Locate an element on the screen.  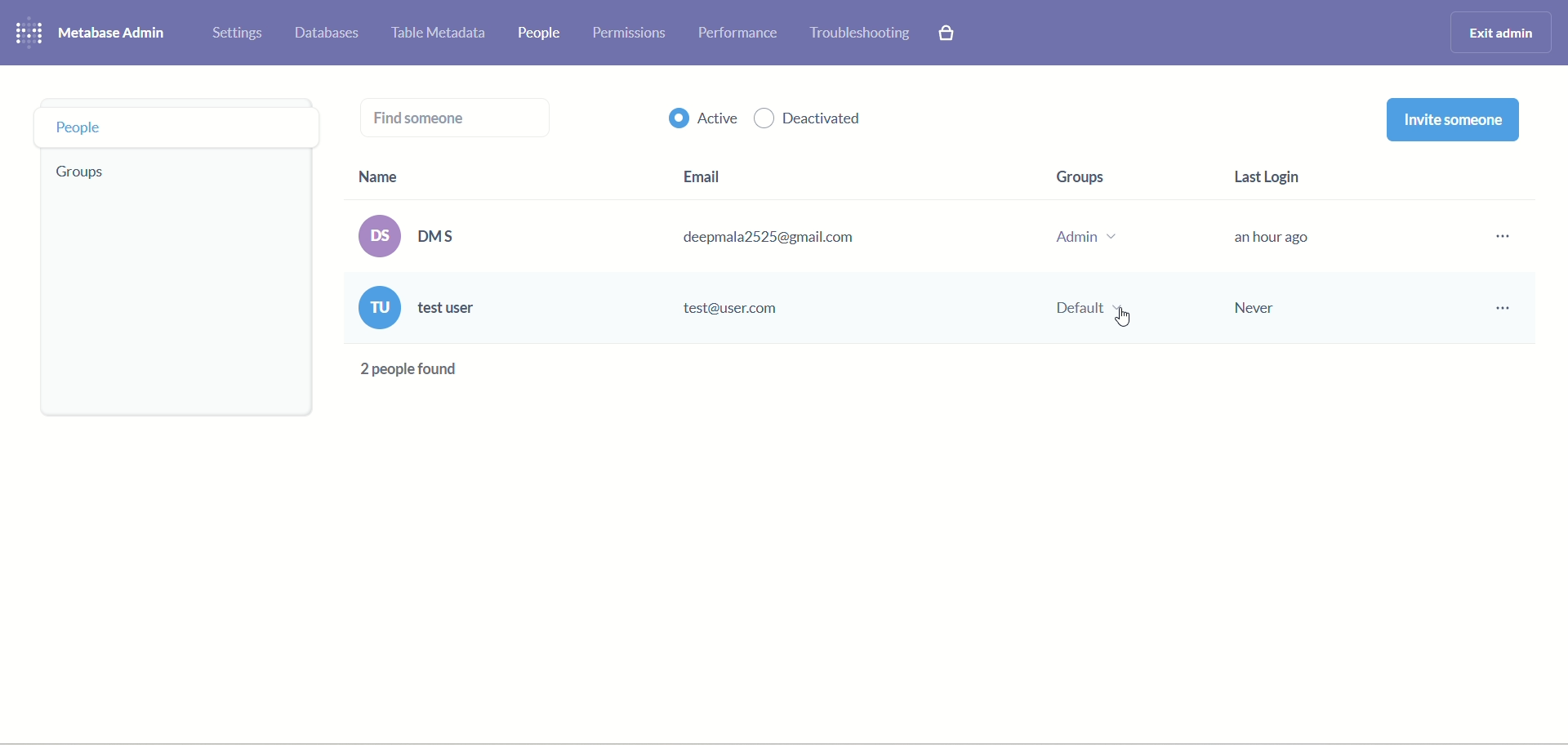
databases is located at coordinates (327, 33).